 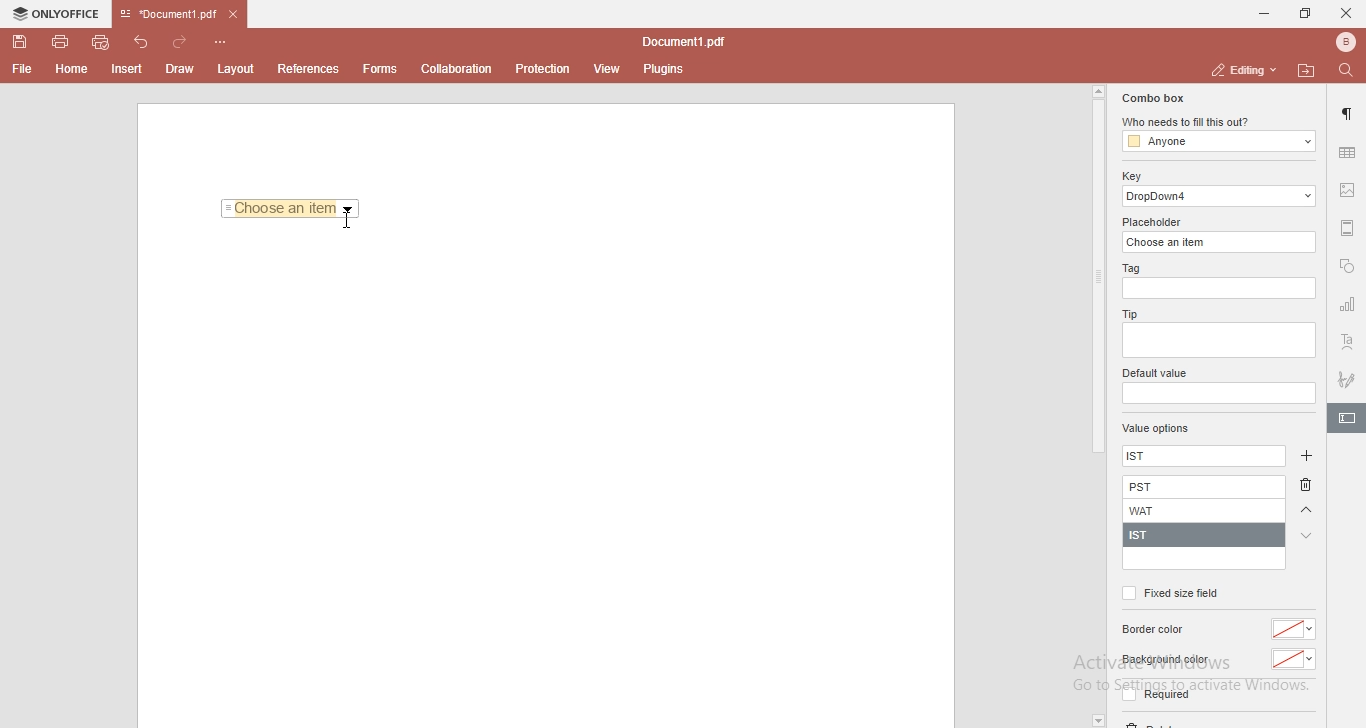 What do you see at coordinates (1348, 376) in the screenshot?
I see `signature` at bounding box center [1348, 376].